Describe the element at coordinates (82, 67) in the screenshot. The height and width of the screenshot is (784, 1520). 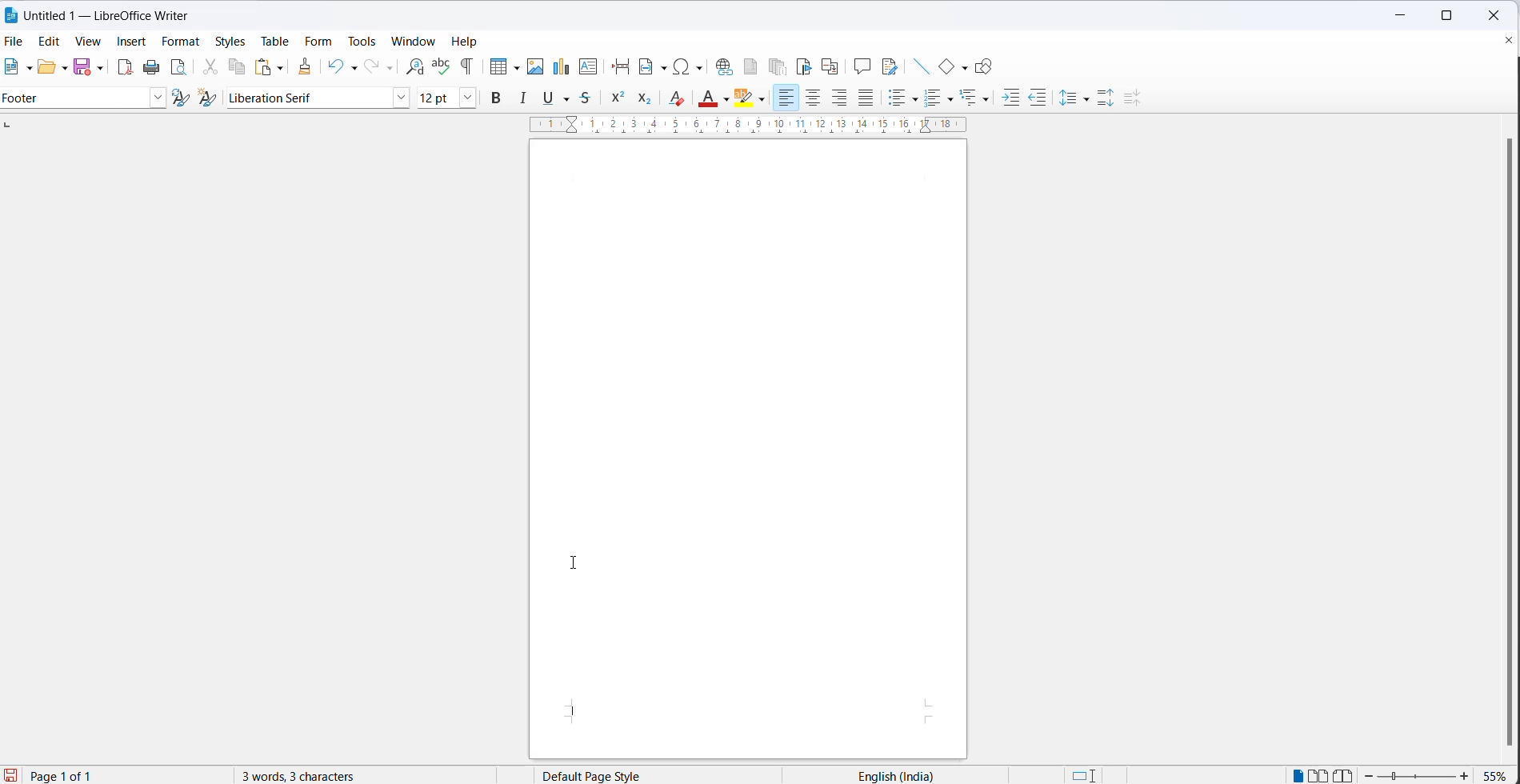
I see `save` at that location.